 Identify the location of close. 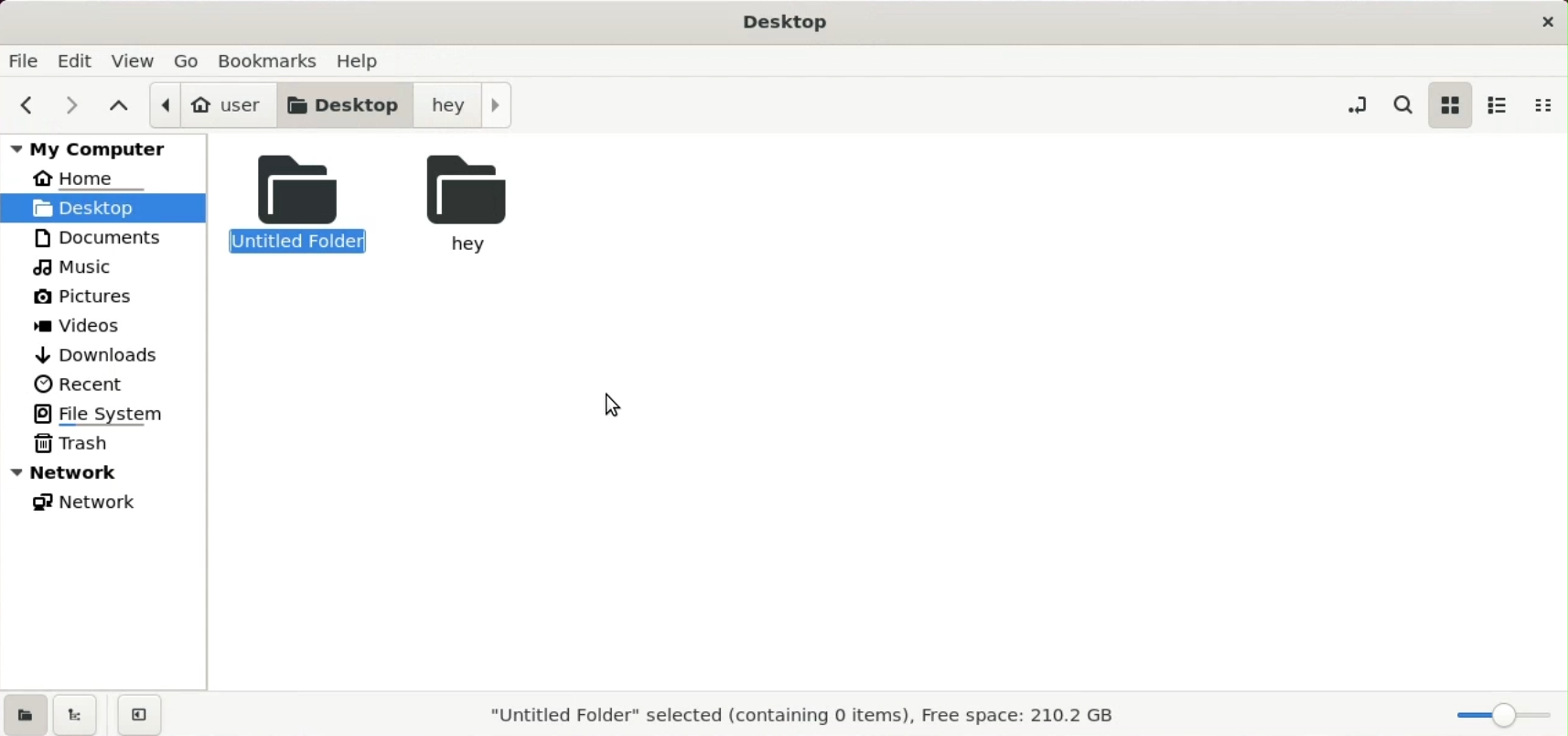
(1546, 23).